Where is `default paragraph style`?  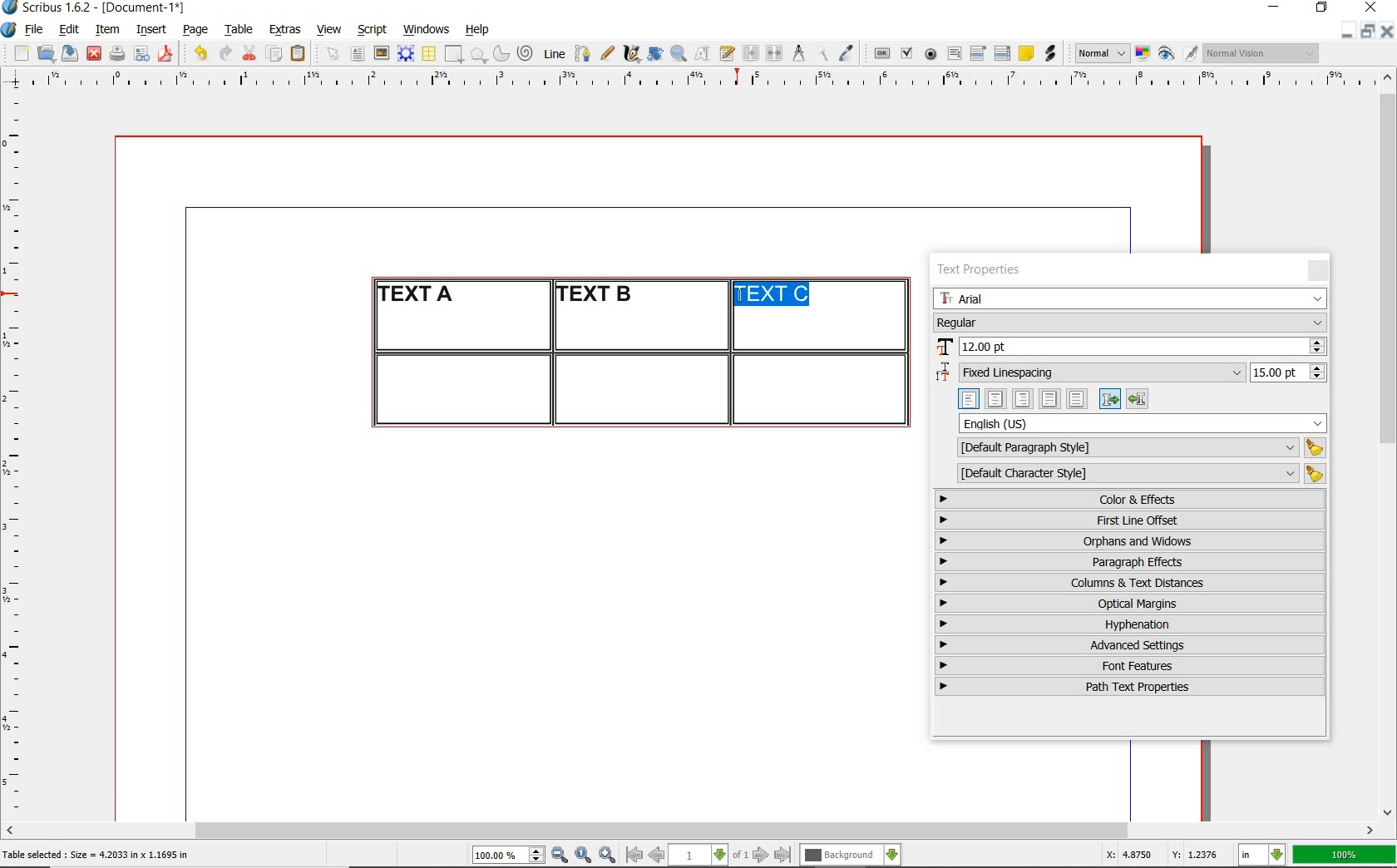 default paragraph style is located at coordinates (1138, 448).